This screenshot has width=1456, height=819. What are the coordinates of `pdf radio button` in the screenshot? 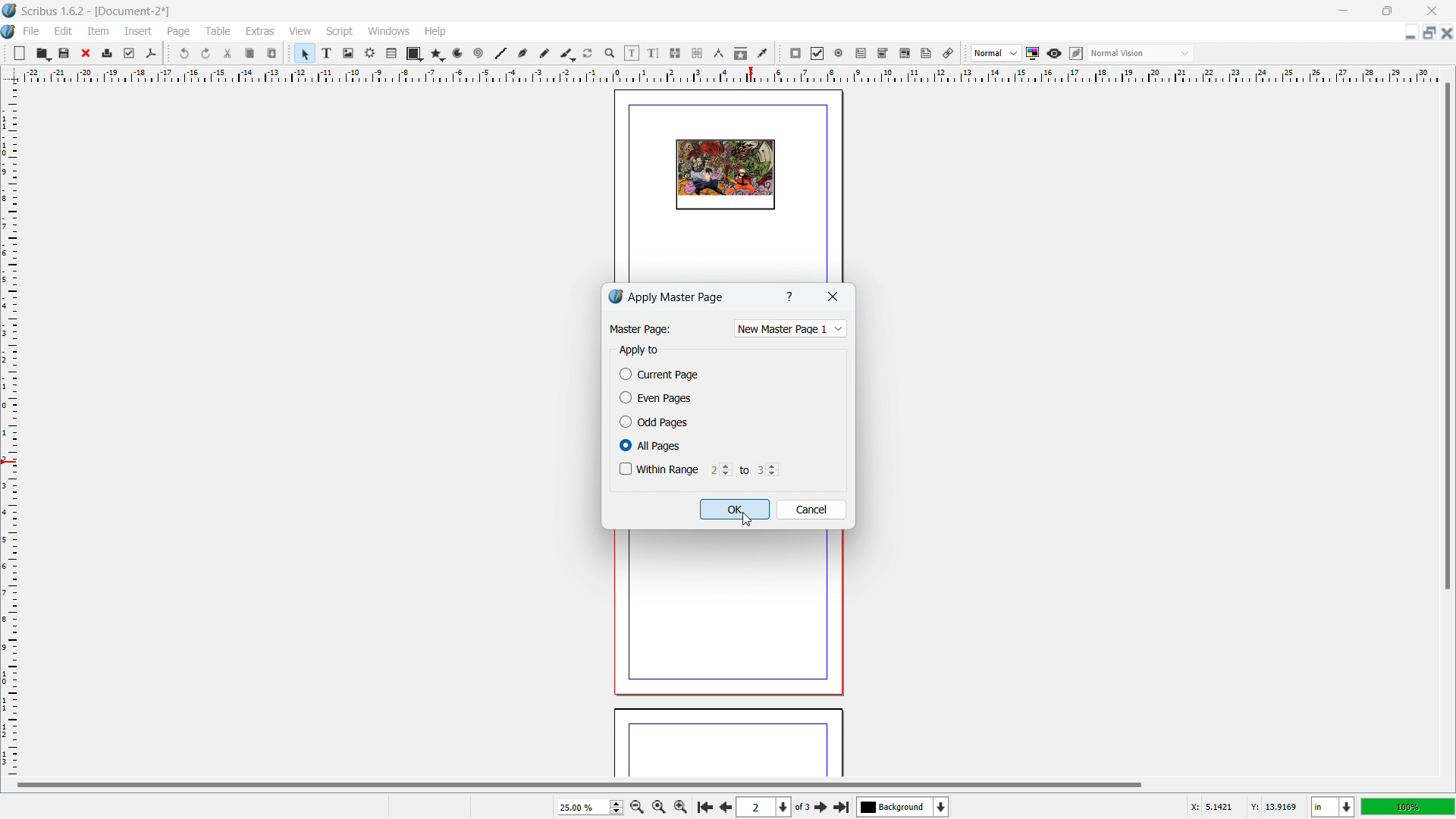 It's located at (839, 52).